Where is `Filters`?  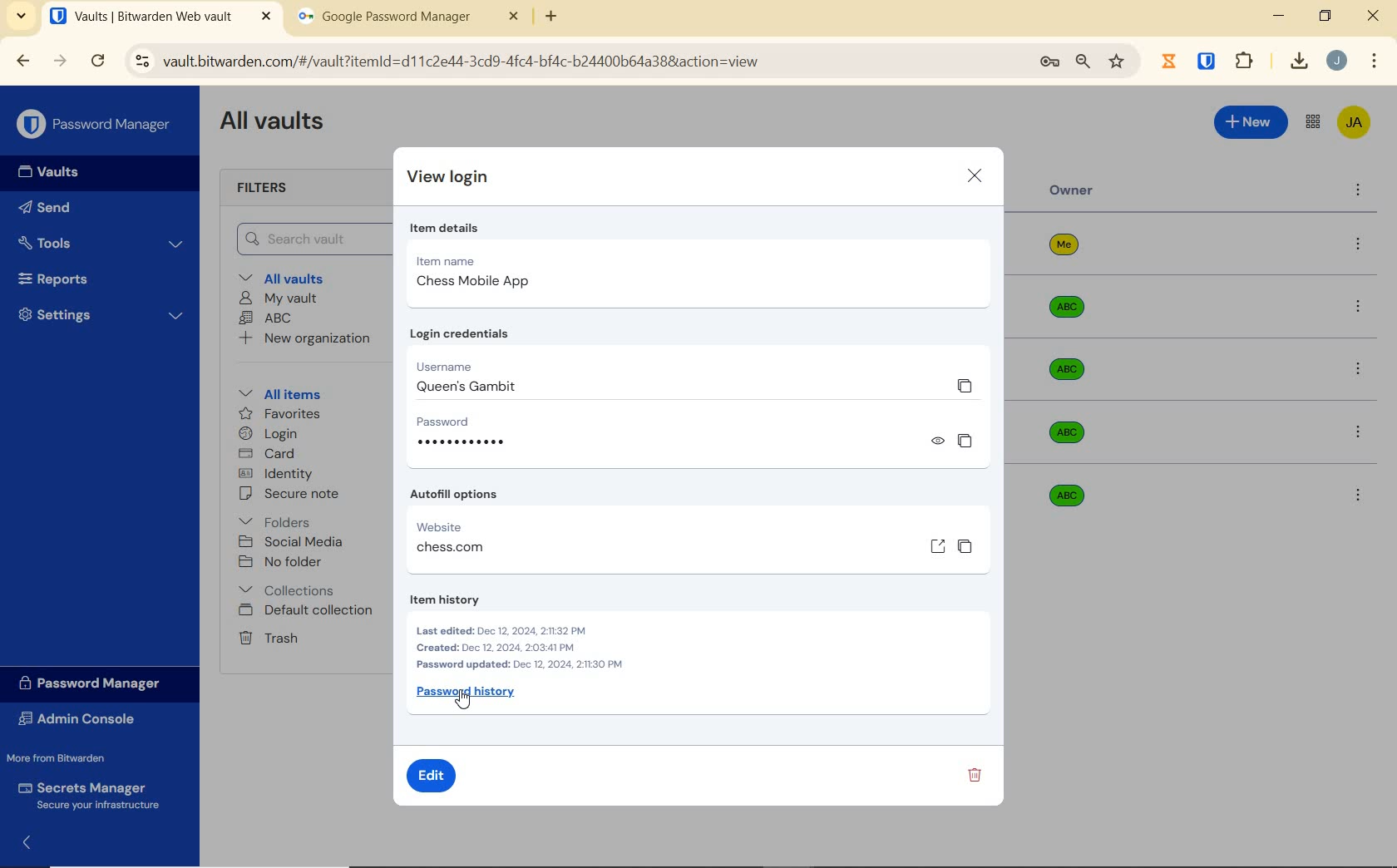 Filters is located at coordinates (260, 189).